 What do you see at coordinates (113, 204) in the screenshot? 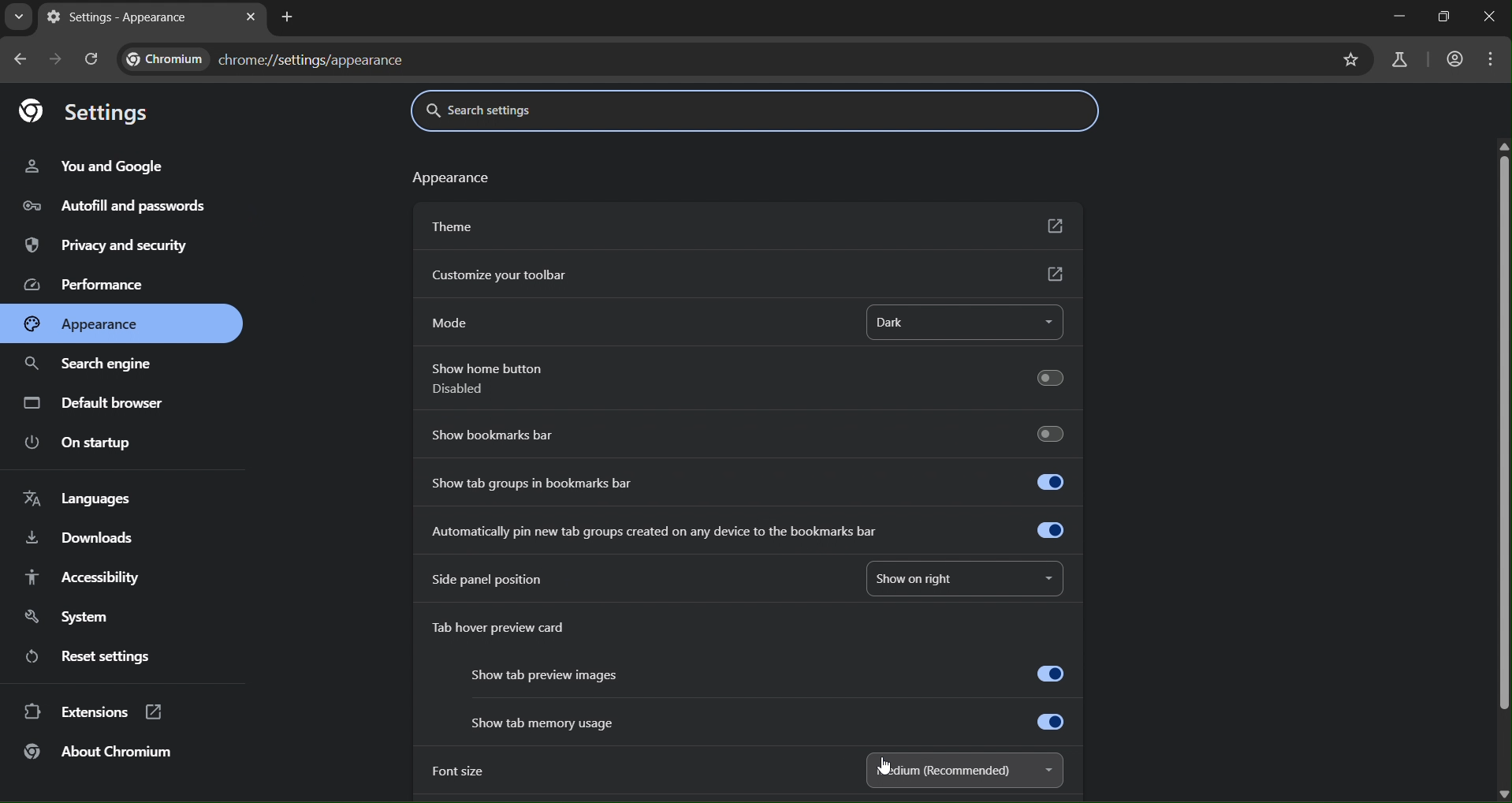
I see `autofill & passwords` at bounding box center [113, 204].